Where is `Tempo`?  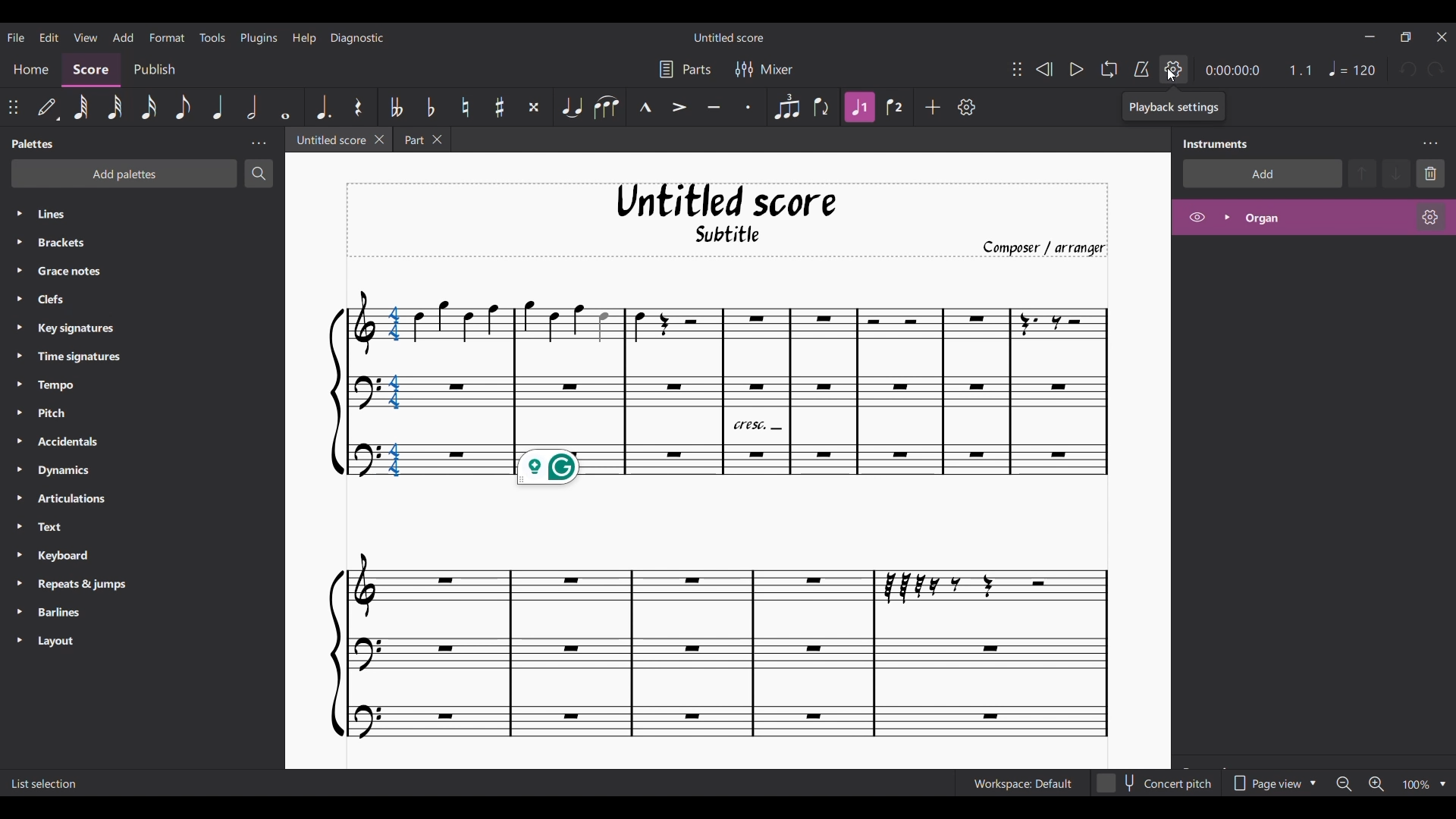 Tempo is located at coordinates (1351, 68).